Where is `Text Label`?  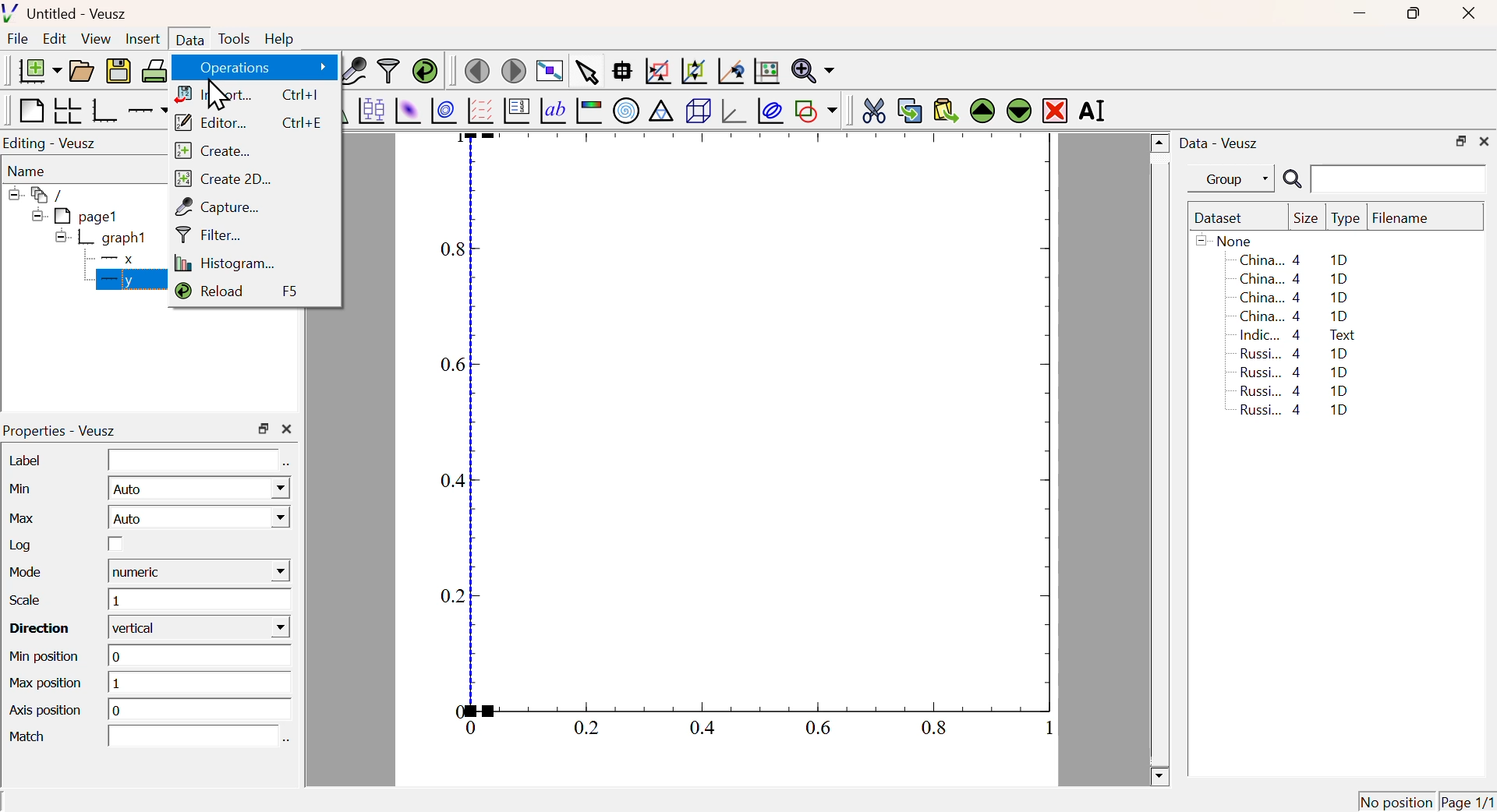 Text Label is located at coordinates (553, 111).